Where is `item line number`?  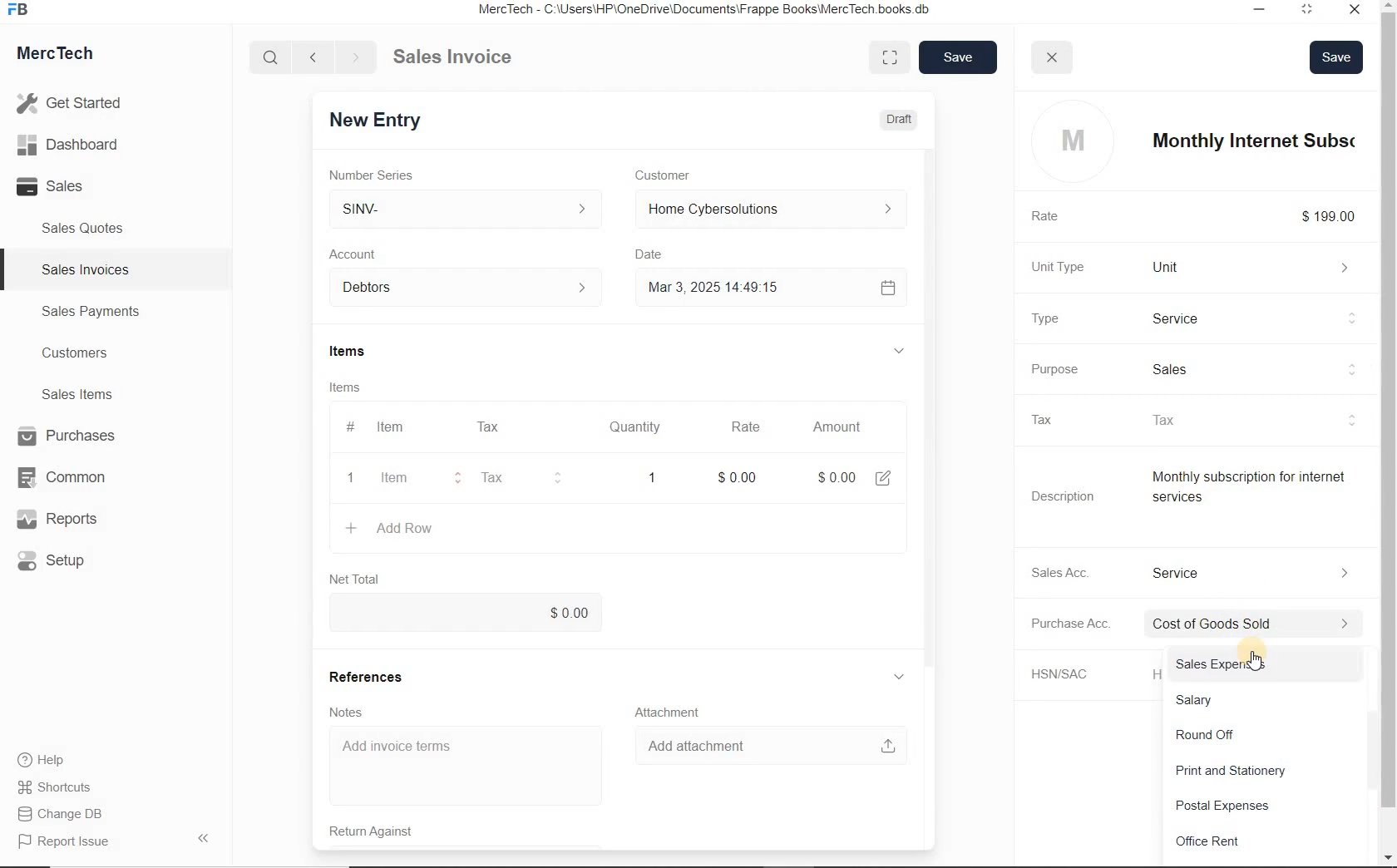 item line number is located at coordinates (354, 455).